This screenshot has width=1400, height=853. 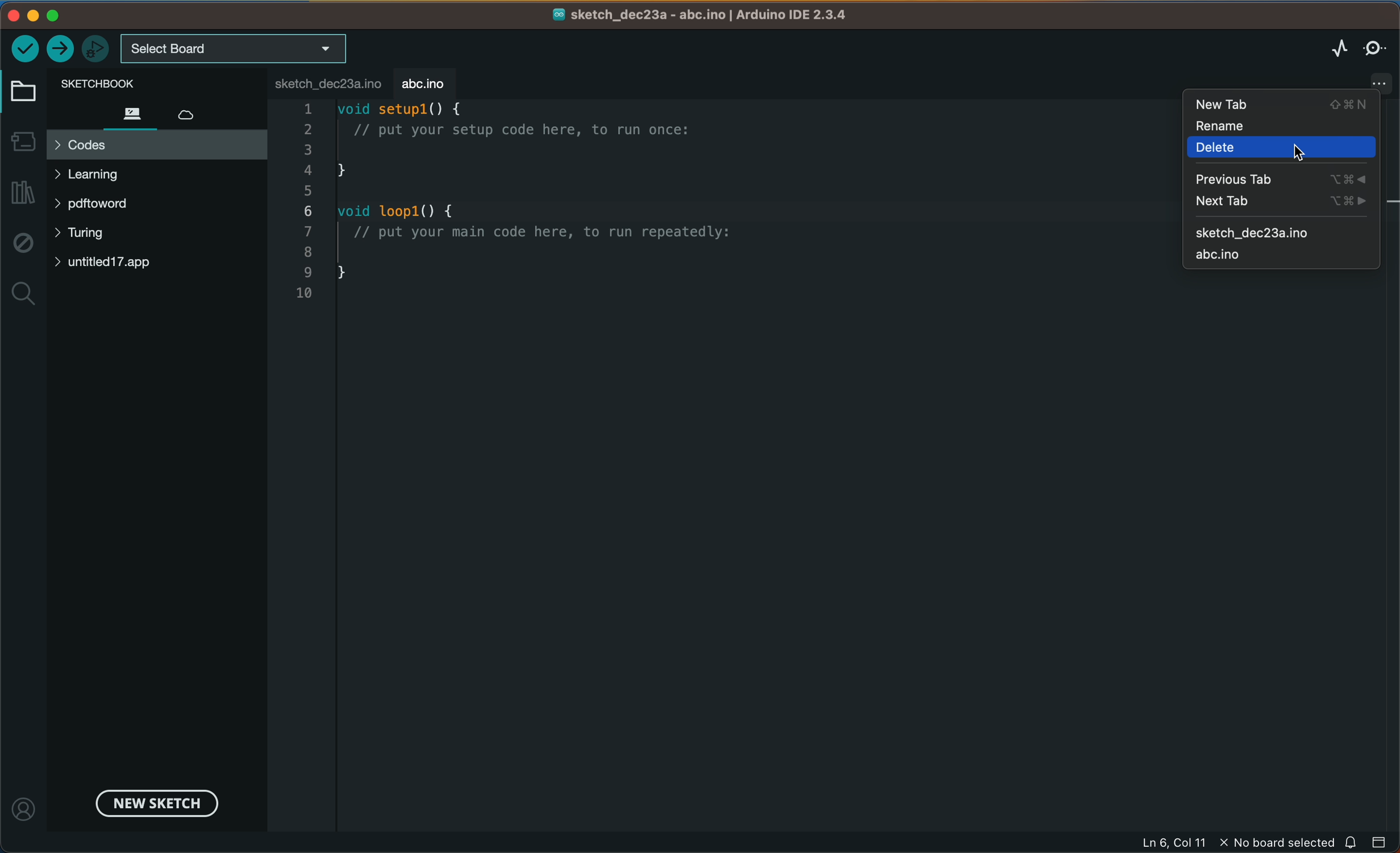 I want to click on file settings, so click(x=1361, y=81).